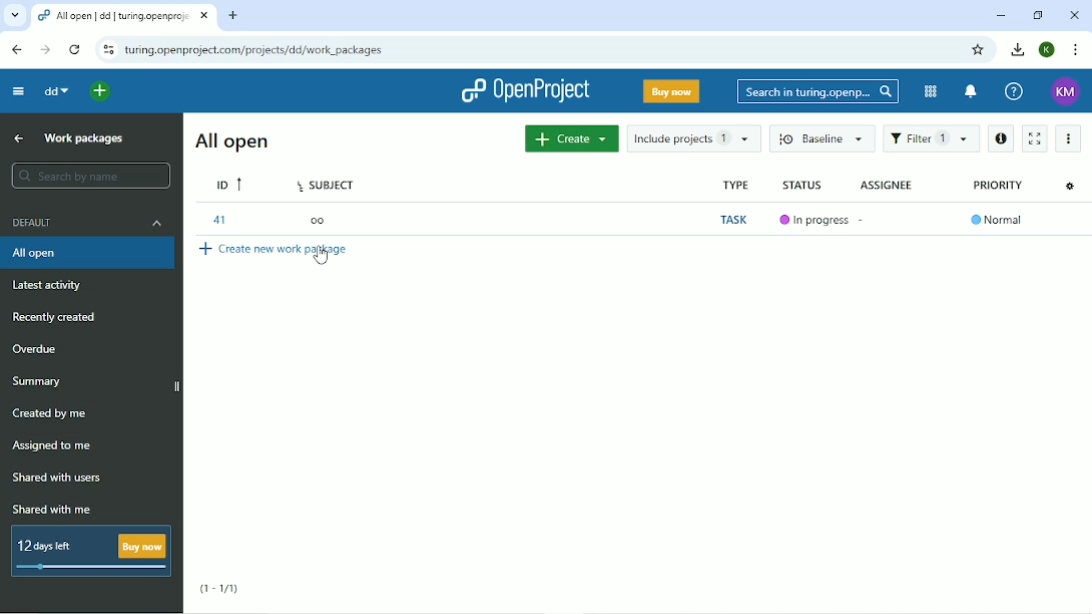 The height and width of the screenshot is (614, 1092). What do you see at coordinates (227, 184) in the screenshot?
I see `ID` at bounding box center [227, 184].